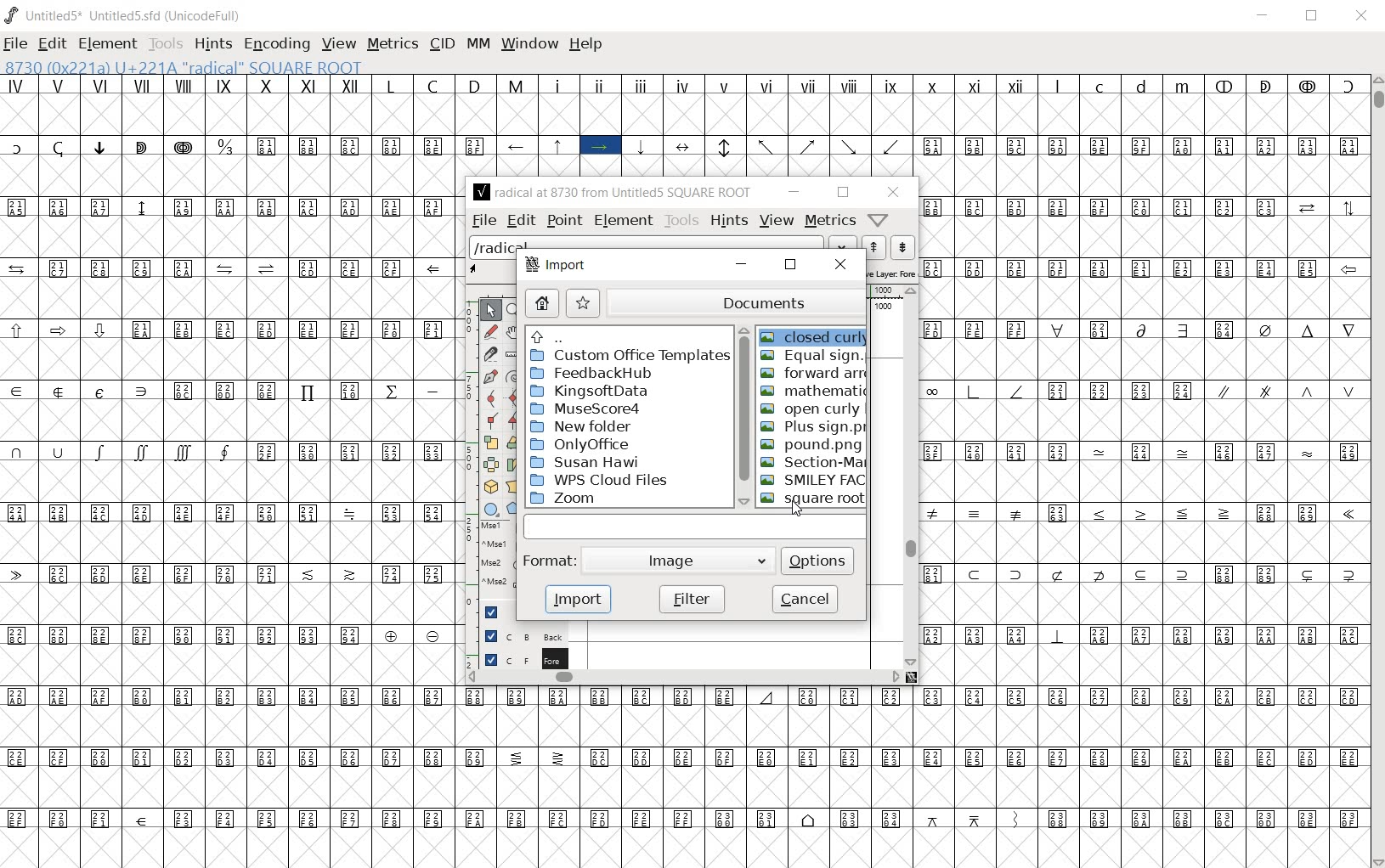 This screenshot has height=868, width=1385. What do you see at coordinates (805, 600) in the screenshot?
I see `cancel` at bounding box center [805, 600].